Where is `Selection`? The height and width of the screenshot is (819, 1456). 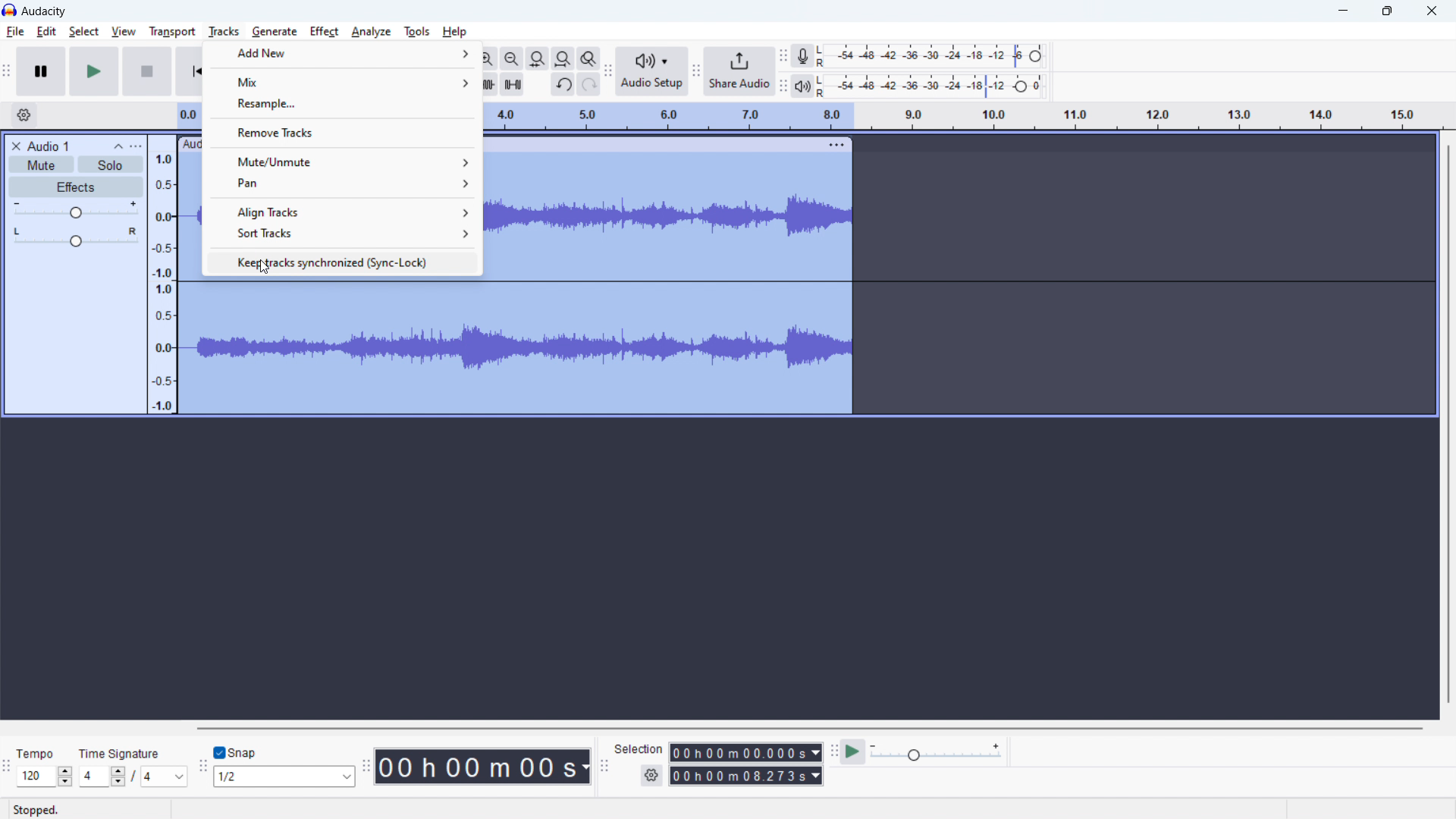
Selection is located at coordinates (639, 748).